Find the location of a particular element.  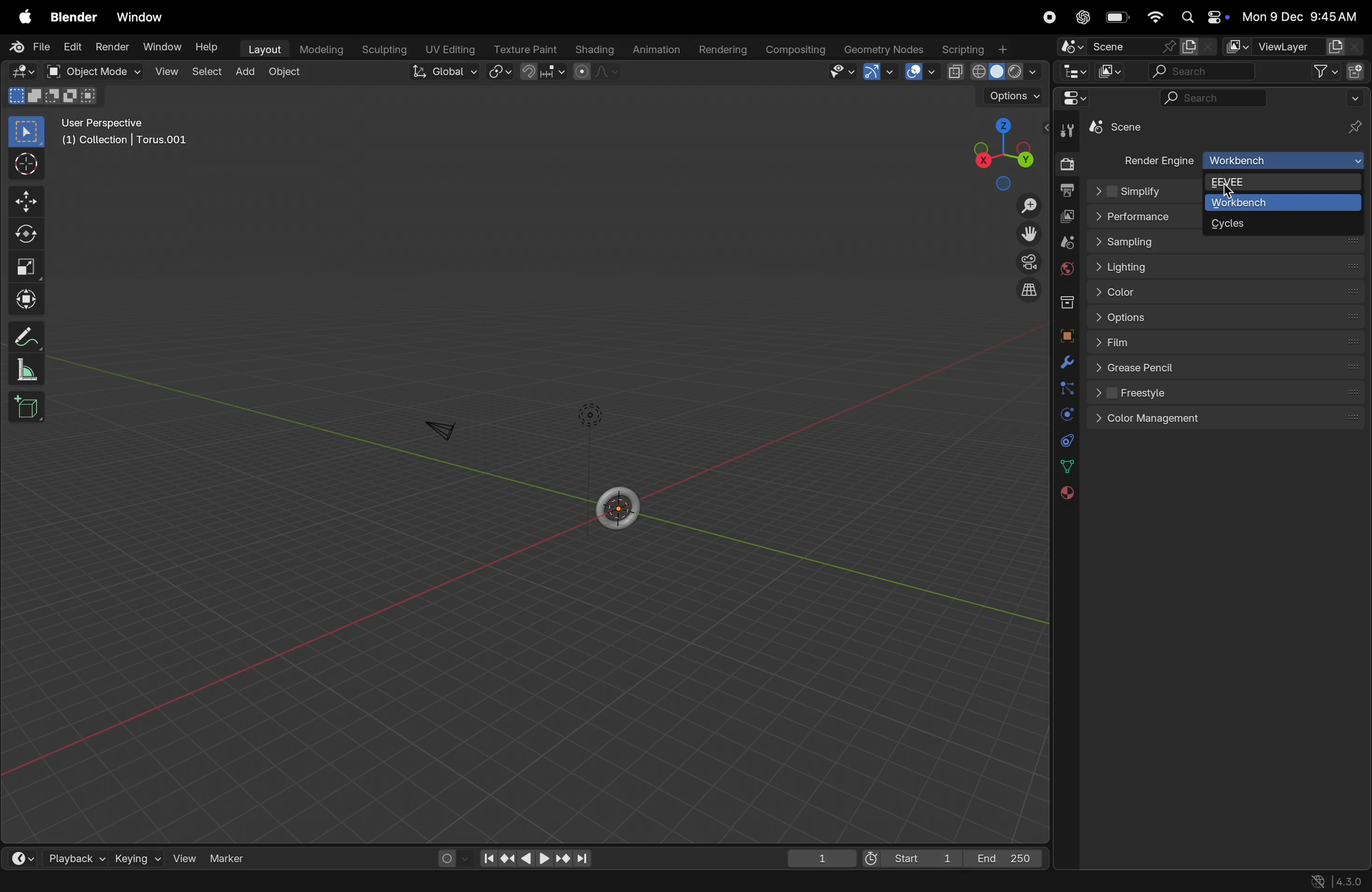

add is located at coordinates (244, 71).